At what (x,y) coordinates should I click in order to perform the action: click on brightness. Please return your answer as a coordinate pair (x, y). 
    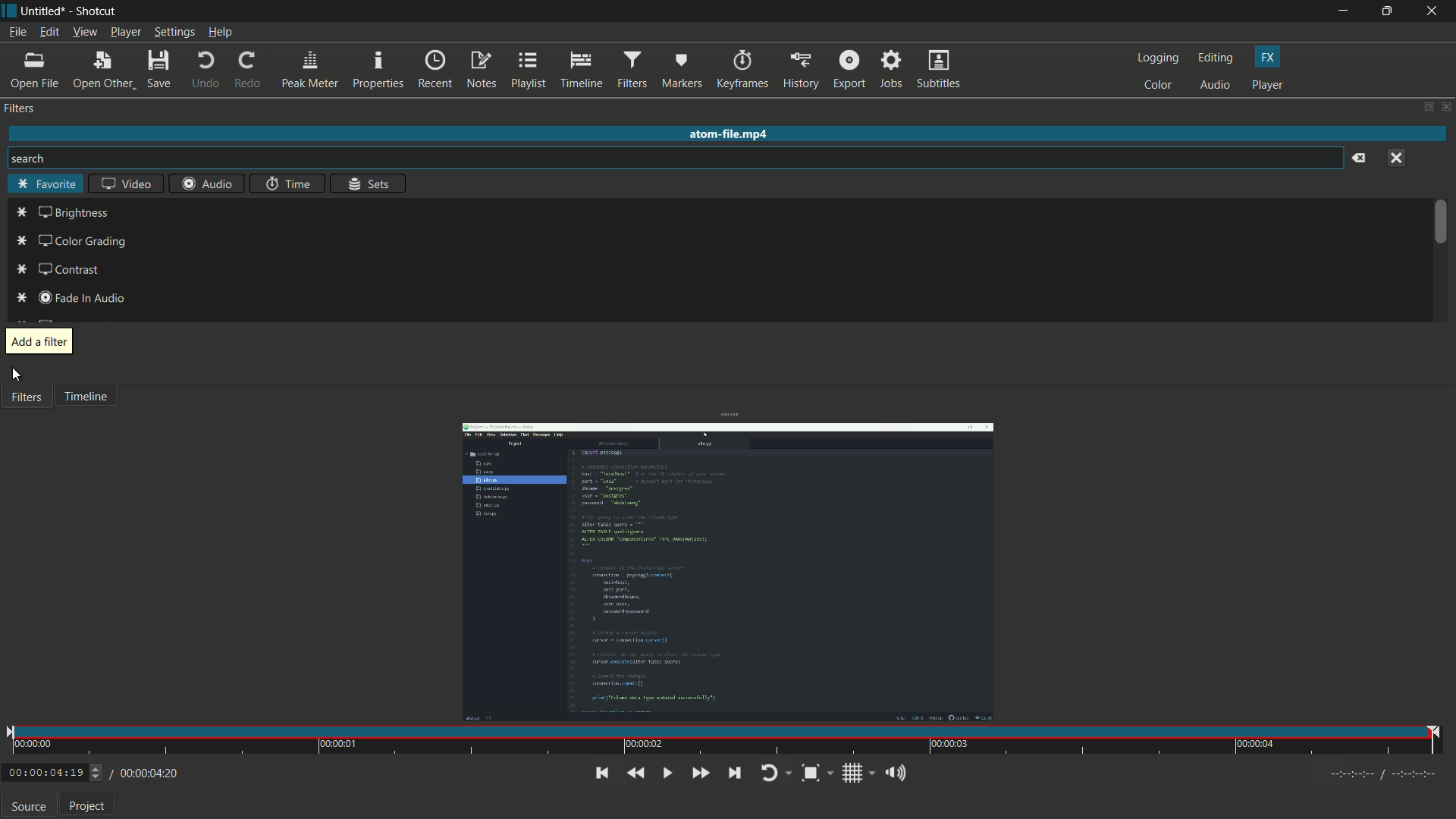
    Looking at the image, I should click on (60, 213).